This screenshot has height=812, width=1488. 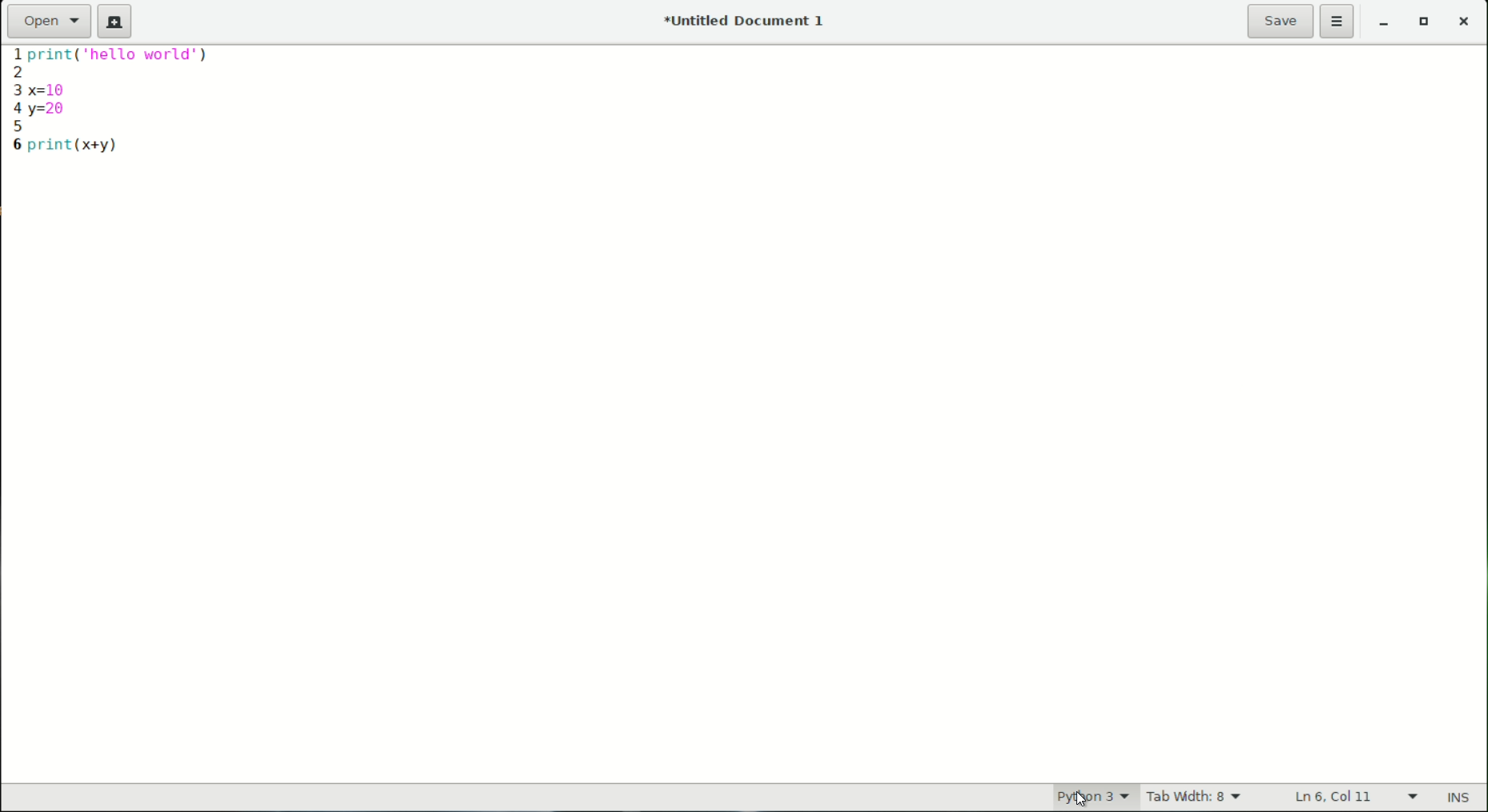 I want to click on new tab, so click(x=115, y=22).